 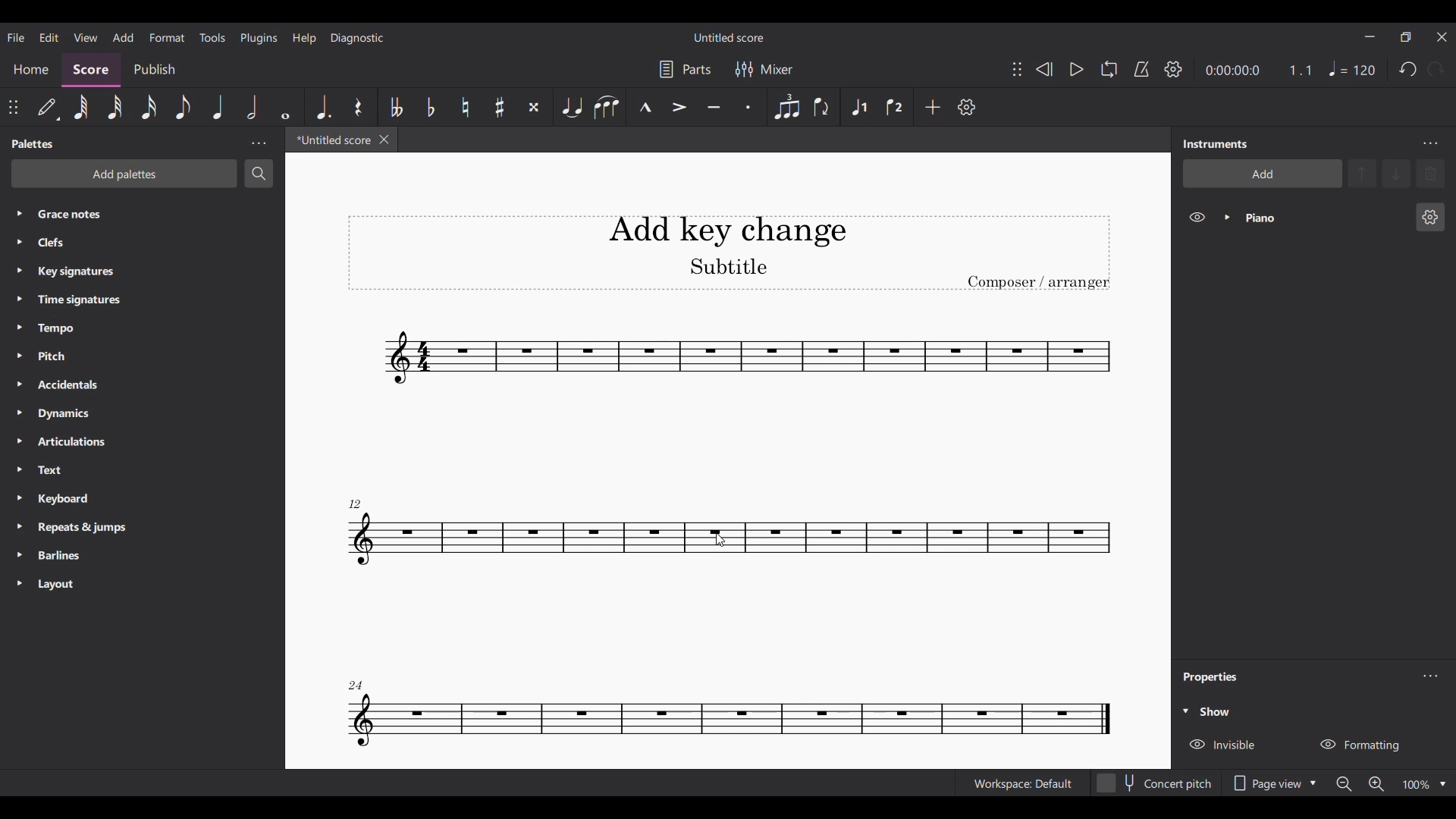 I want to click on Quaternate, so click(x=1352, y=69).